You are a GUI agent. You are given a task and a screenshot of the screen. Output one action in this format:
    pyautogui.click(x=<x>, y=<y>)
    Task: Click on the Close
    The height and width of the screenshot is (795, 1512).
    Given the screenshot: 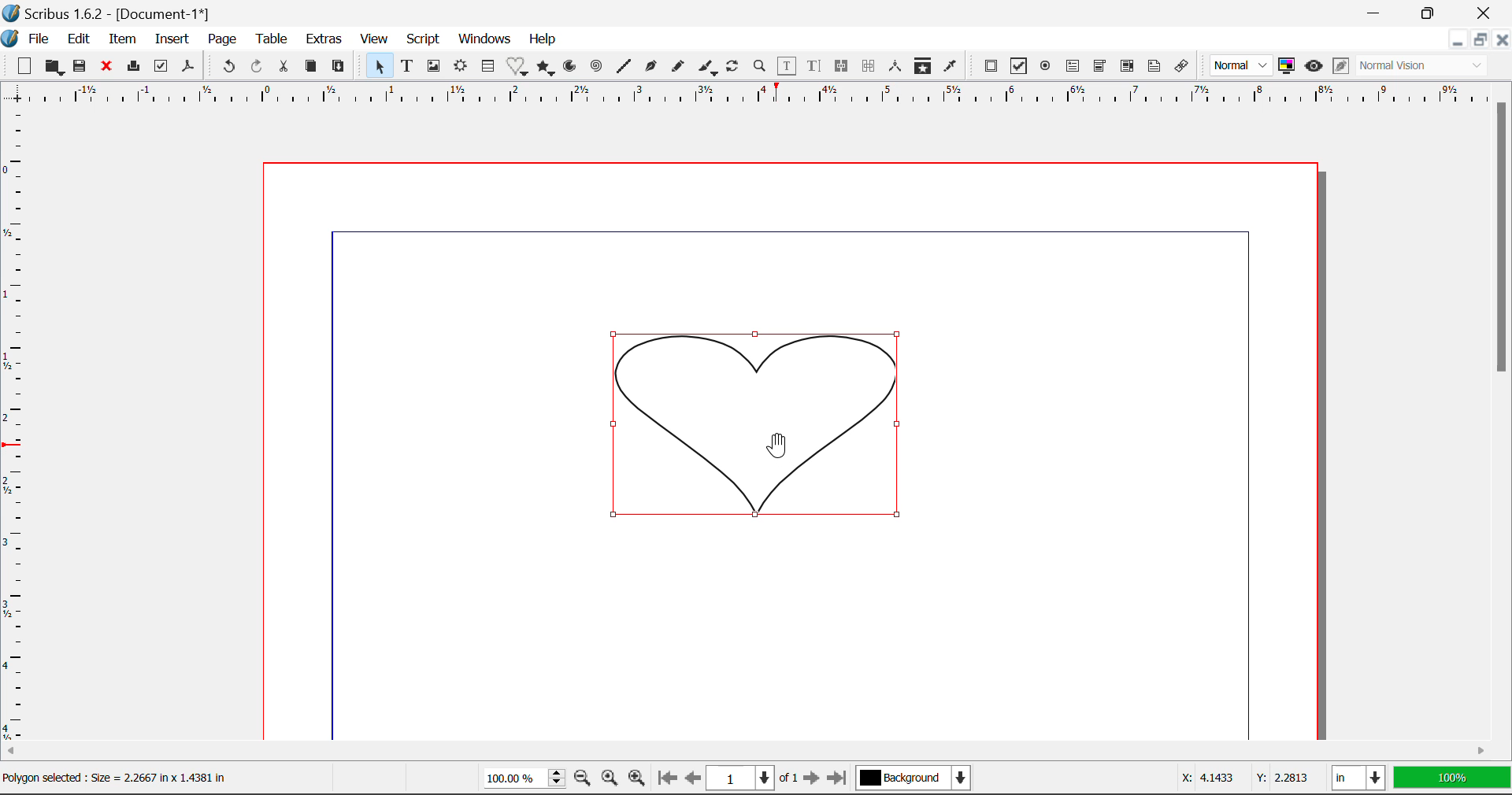 What is the action you would take?
    pyautogui.click(x=1503, y=42)
    